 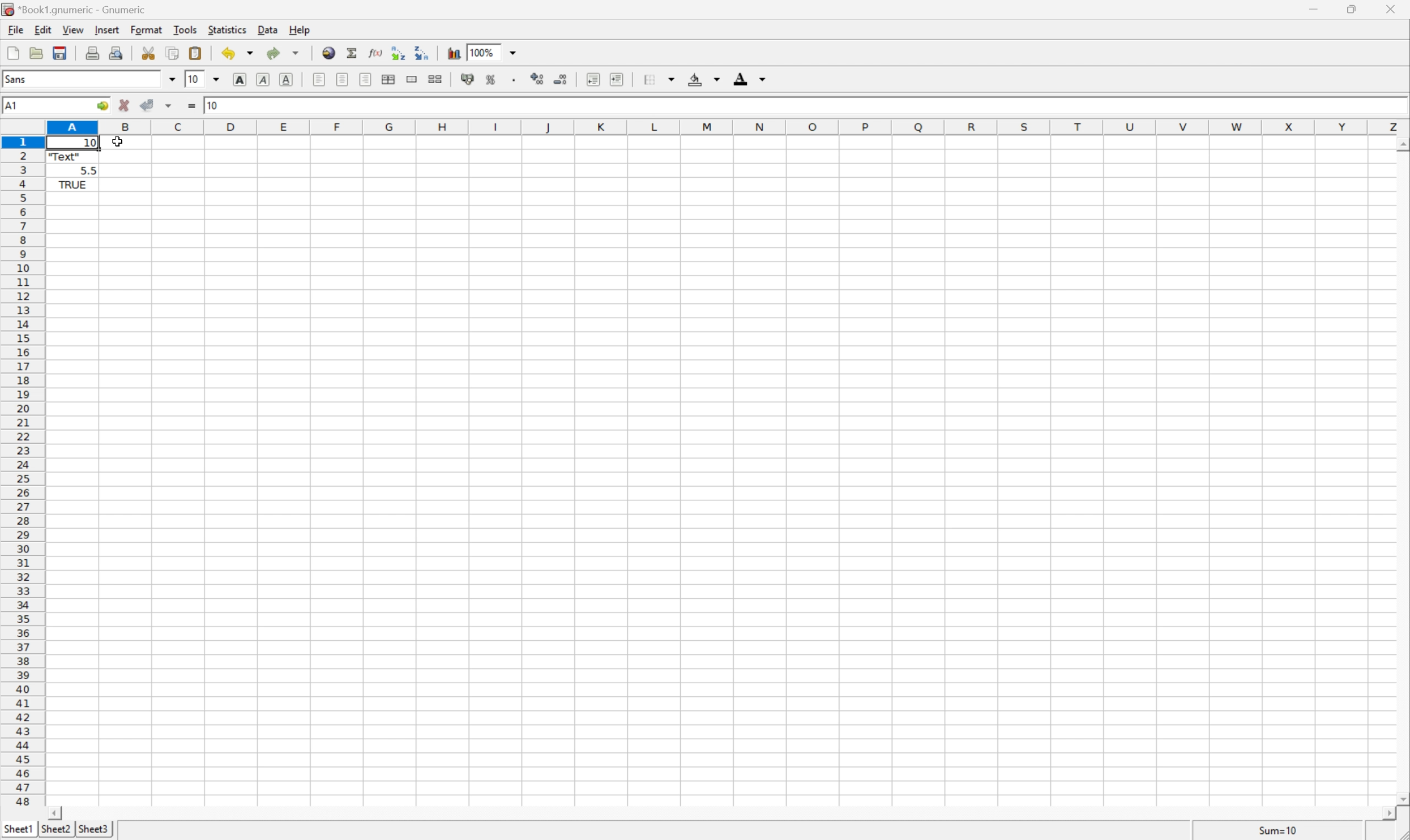 What do you see at coordinates (55, 830) in the screenshot?
I see `Sheet2` at bounding box center [55, 830].